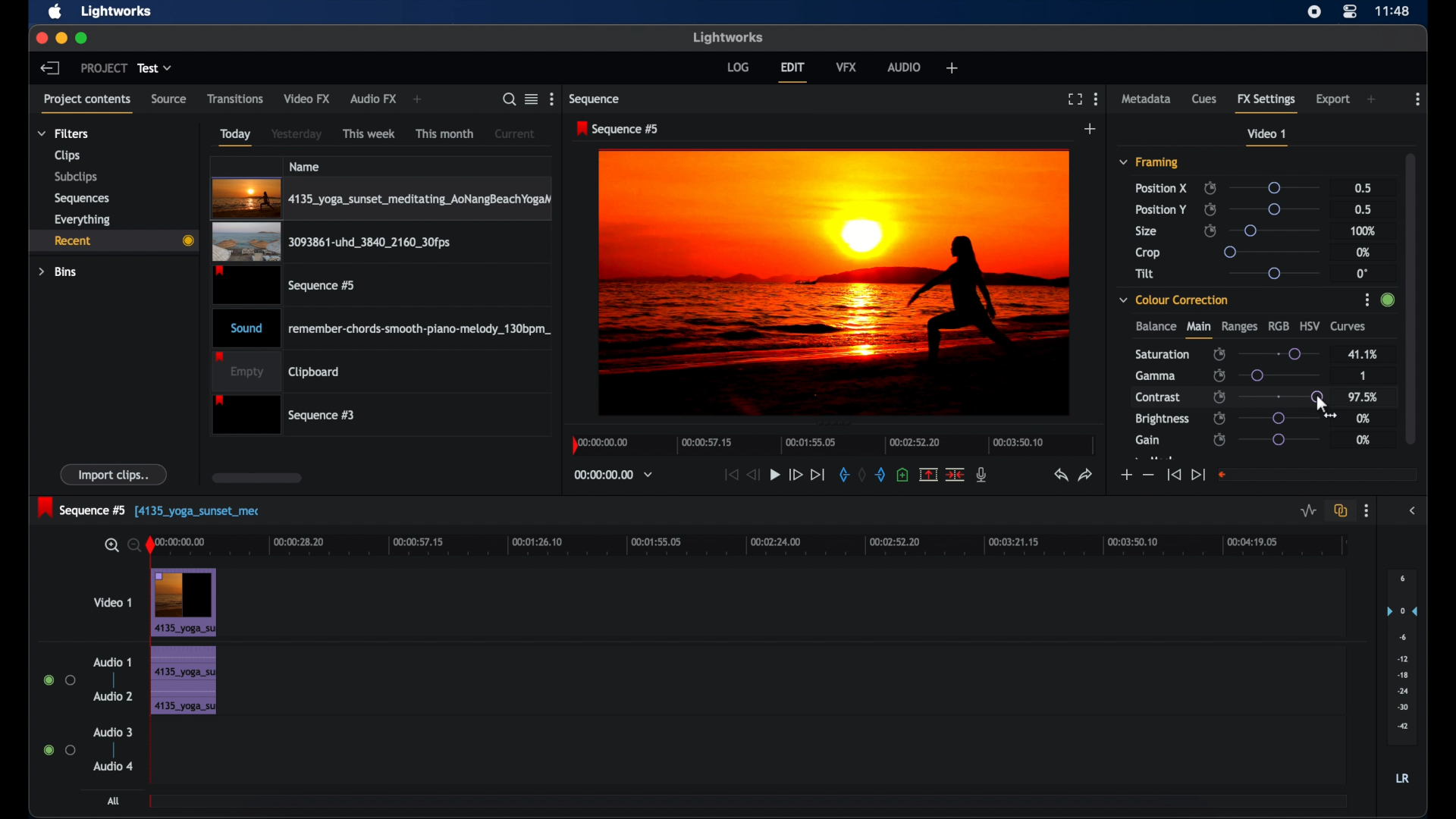 The image size is (1456, 819). Describe the element at coordinates (795, 475) in the screenshot. I see `fast forward` at that location.